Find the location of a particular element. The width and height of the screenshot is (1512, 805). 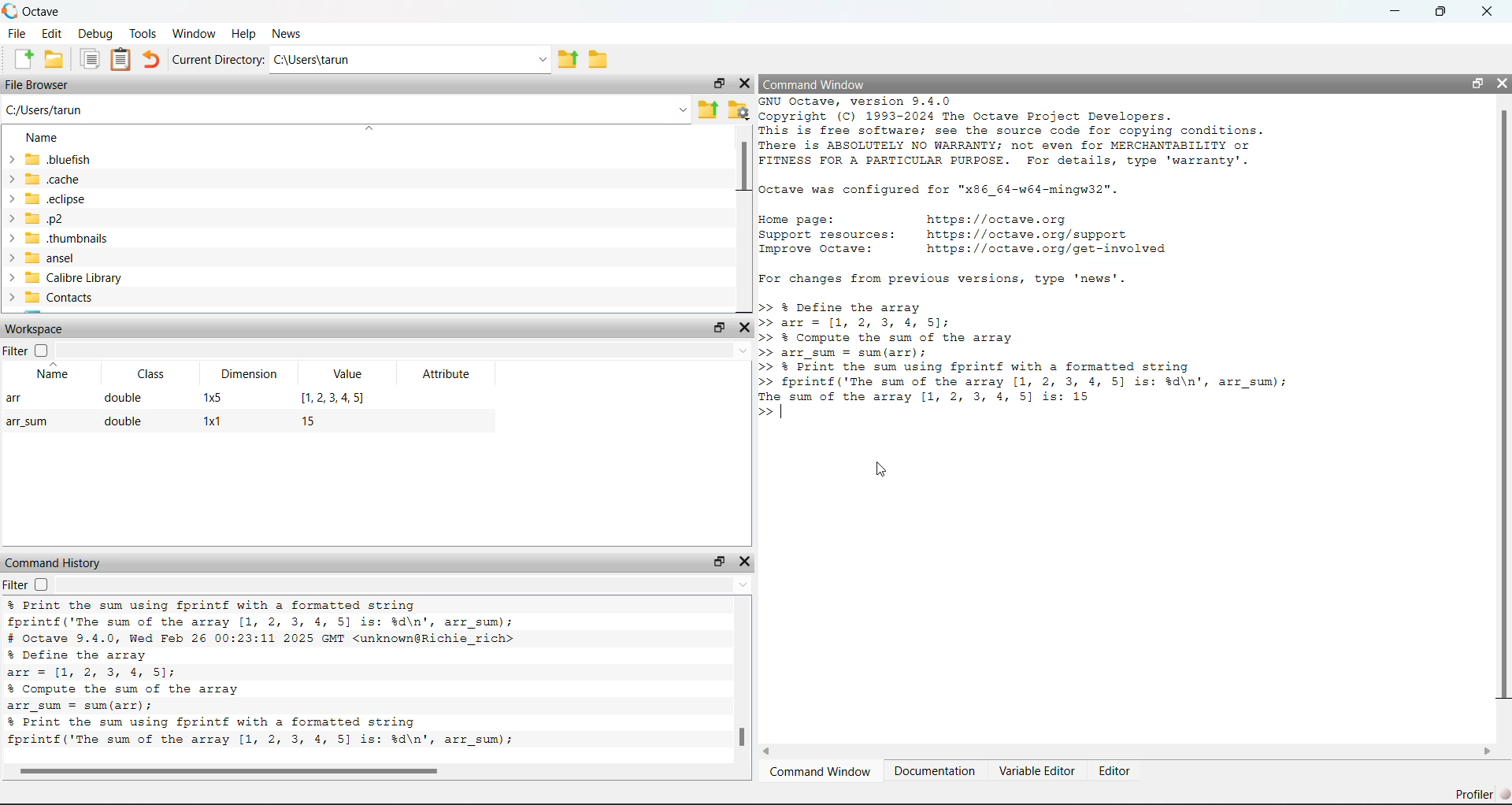

Class is located at coordinates (156, 375).